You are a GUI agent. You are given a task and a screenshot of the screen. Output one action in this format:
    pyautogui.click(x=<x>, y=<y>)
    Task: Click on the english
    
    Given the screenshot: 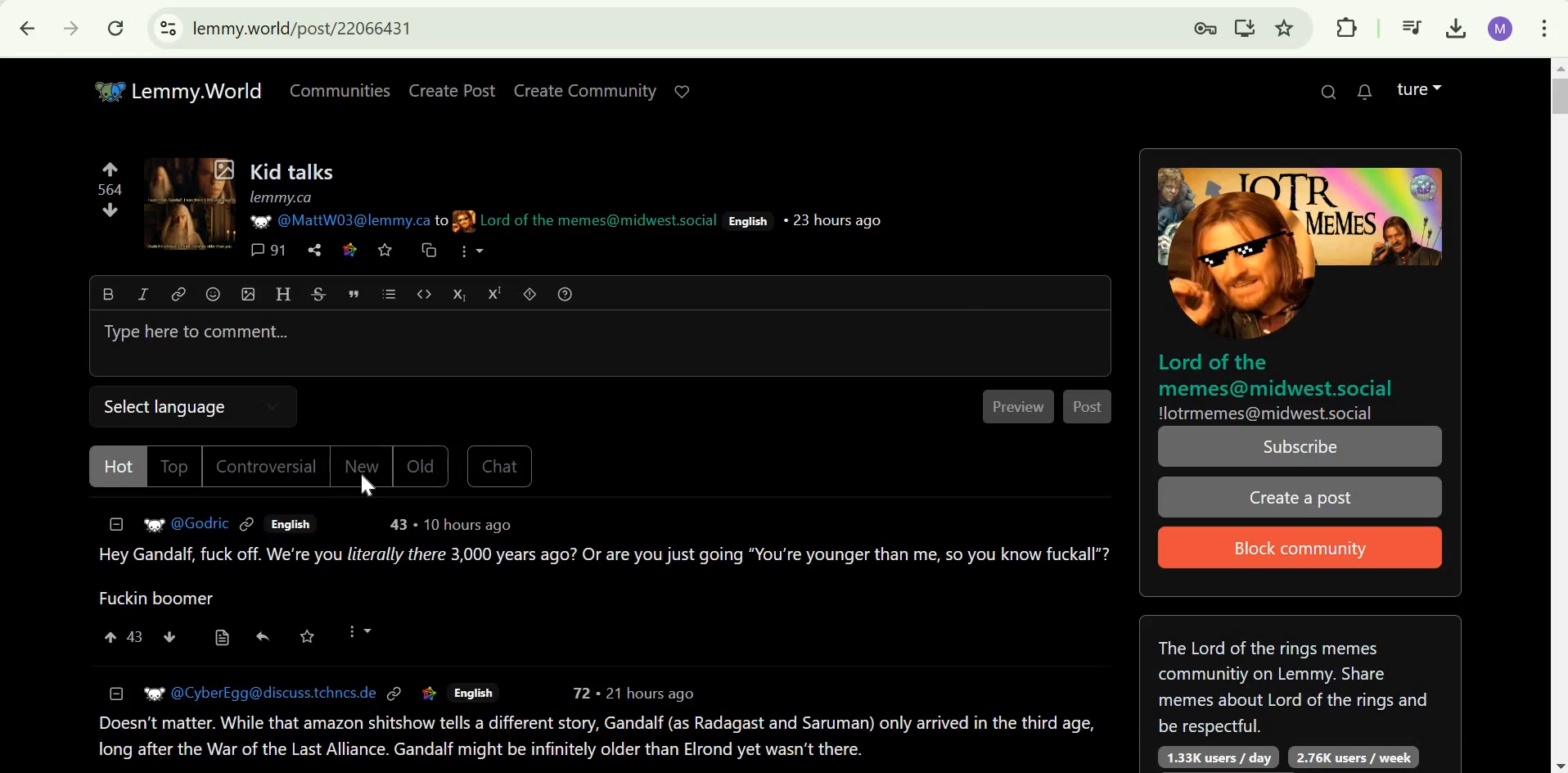 What is the action you would take?
    pyautogui.click(x=750, y=221)
    